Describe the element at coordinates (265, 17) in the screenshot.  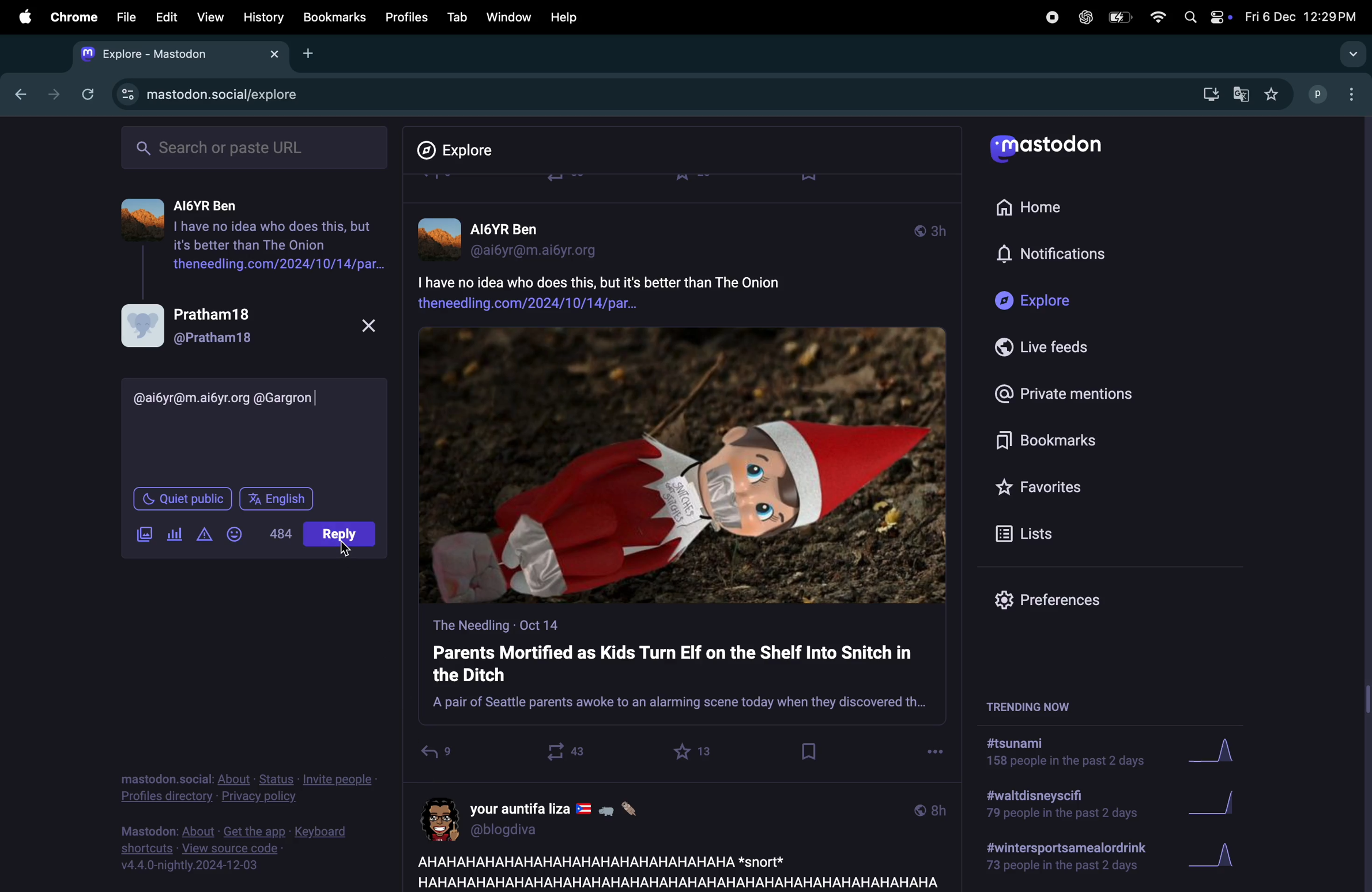
I see `history` at that location.